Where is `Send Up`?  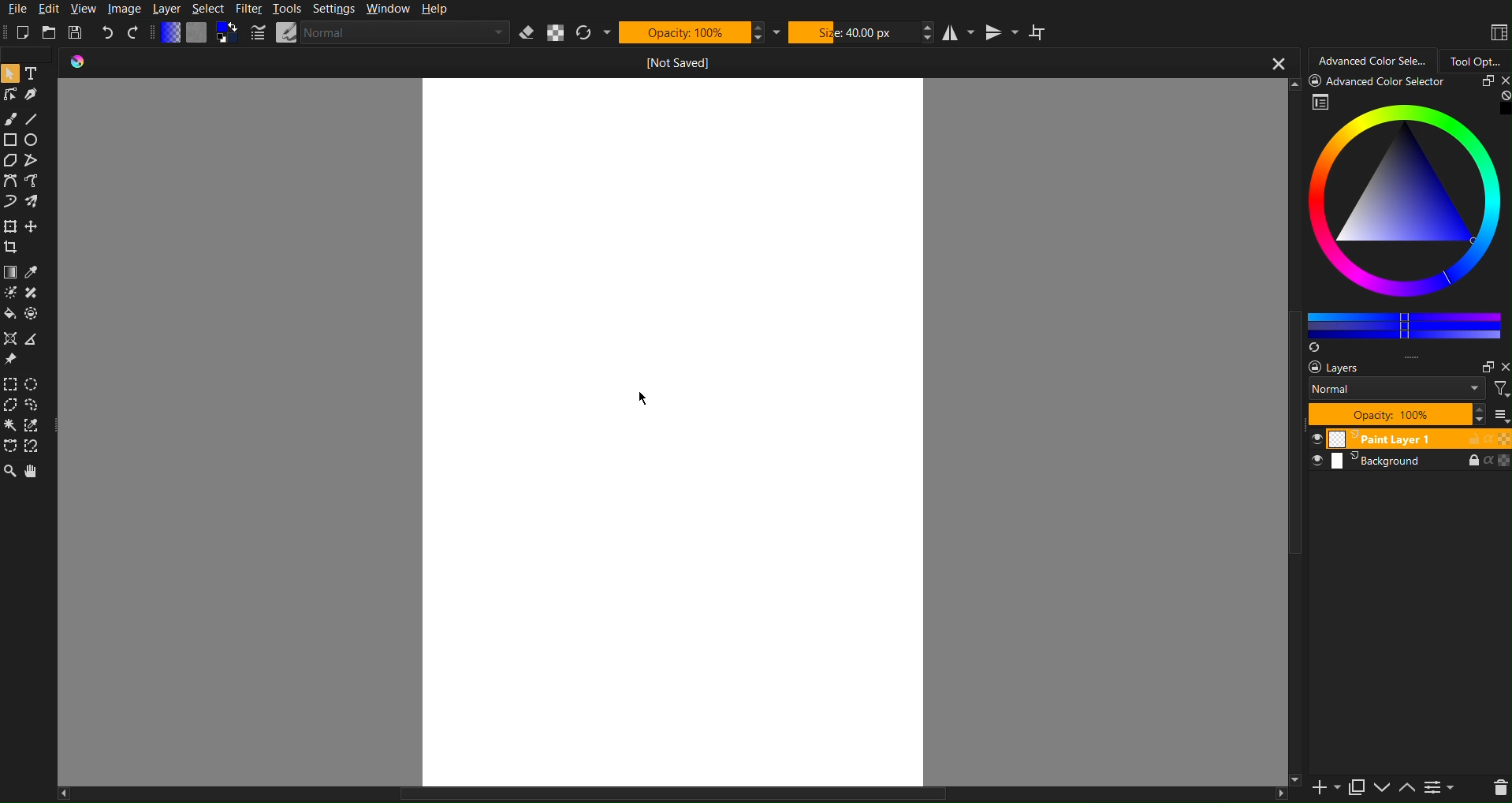
Send Up is located at coordinates (1406, 785).